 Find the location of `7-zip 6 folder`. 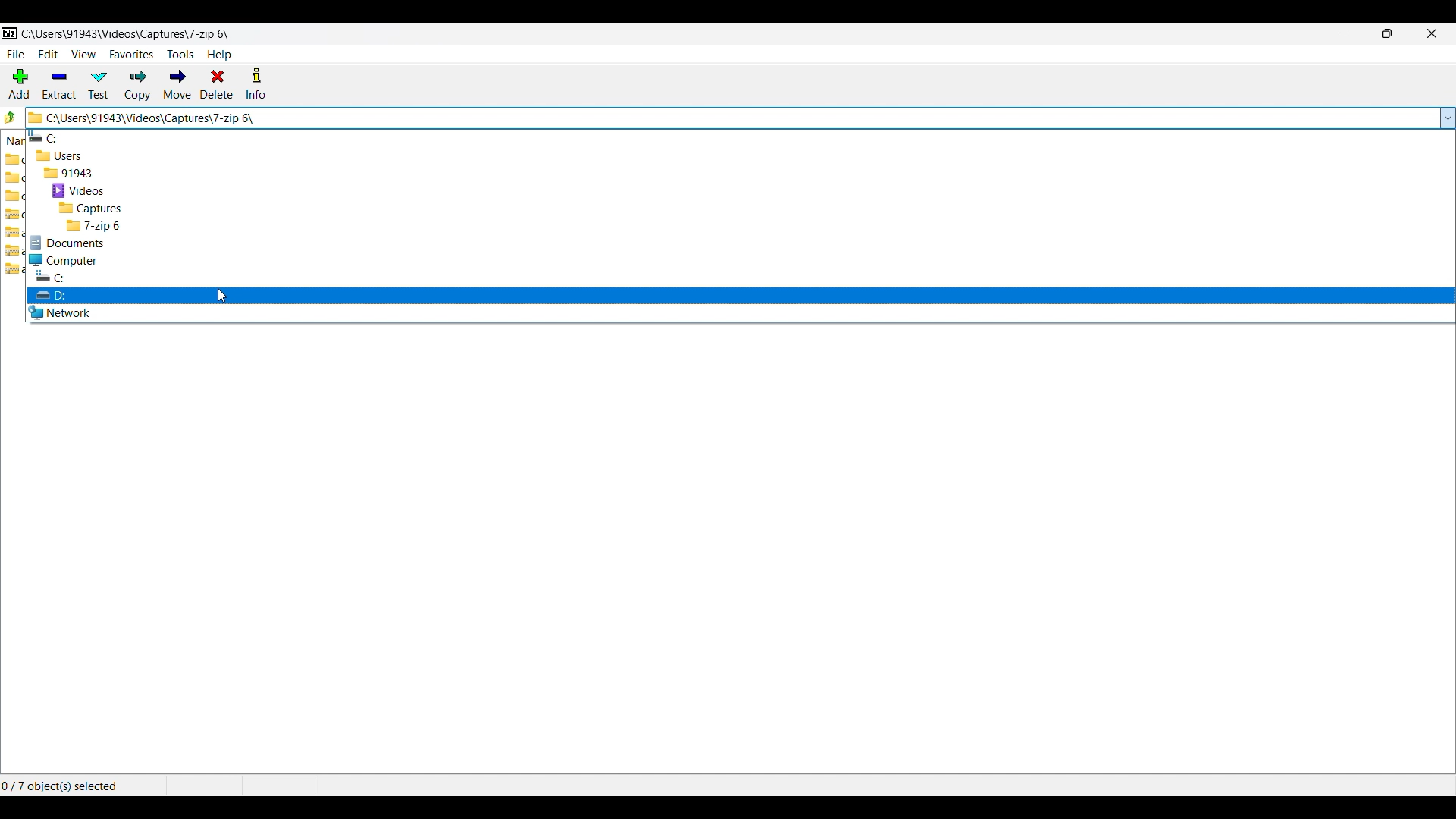

7-zip 6 folder is located at coordinates (739, 225).